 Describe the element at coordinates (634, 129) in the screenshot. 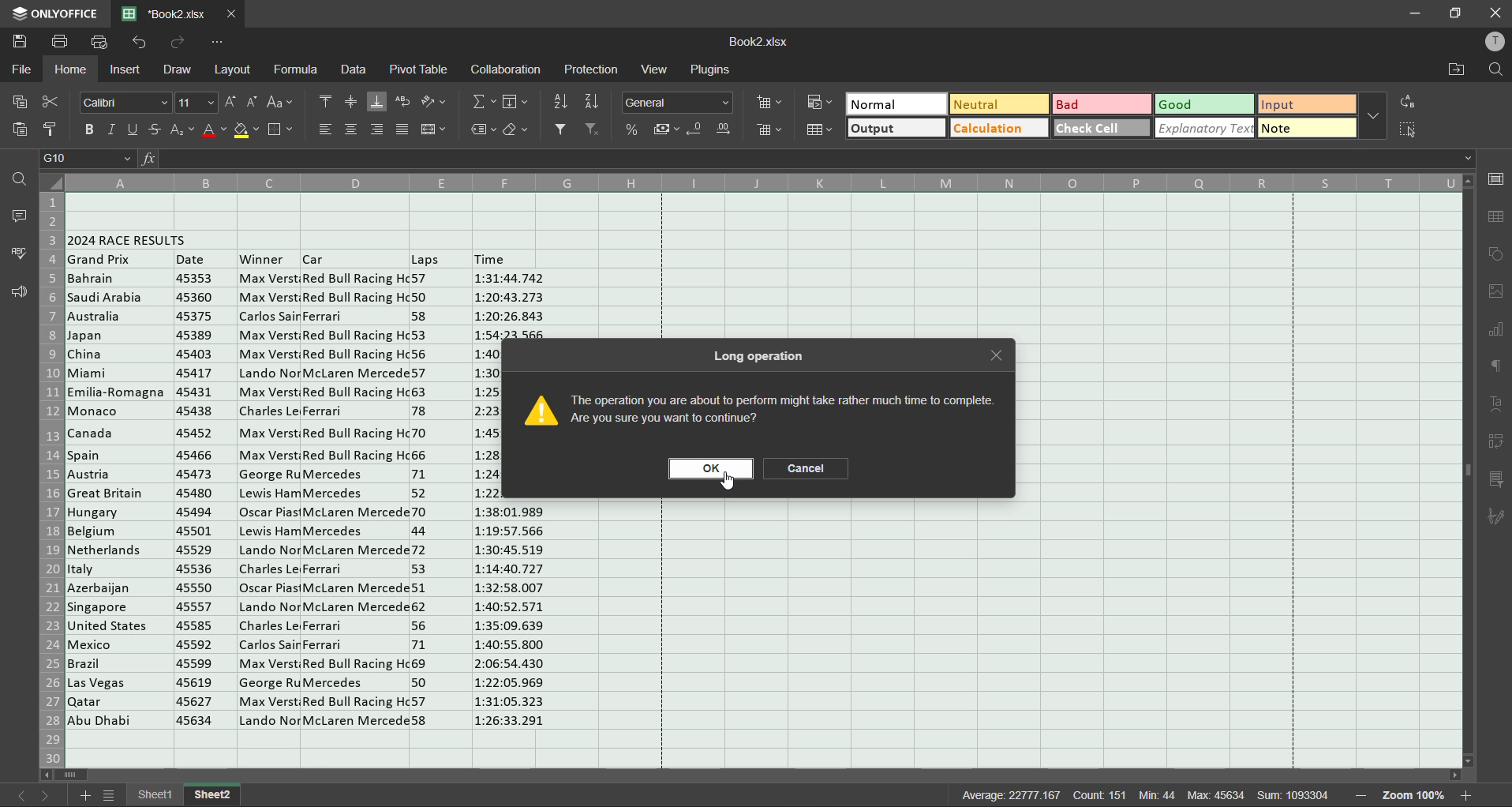

I see `percent` at that location.